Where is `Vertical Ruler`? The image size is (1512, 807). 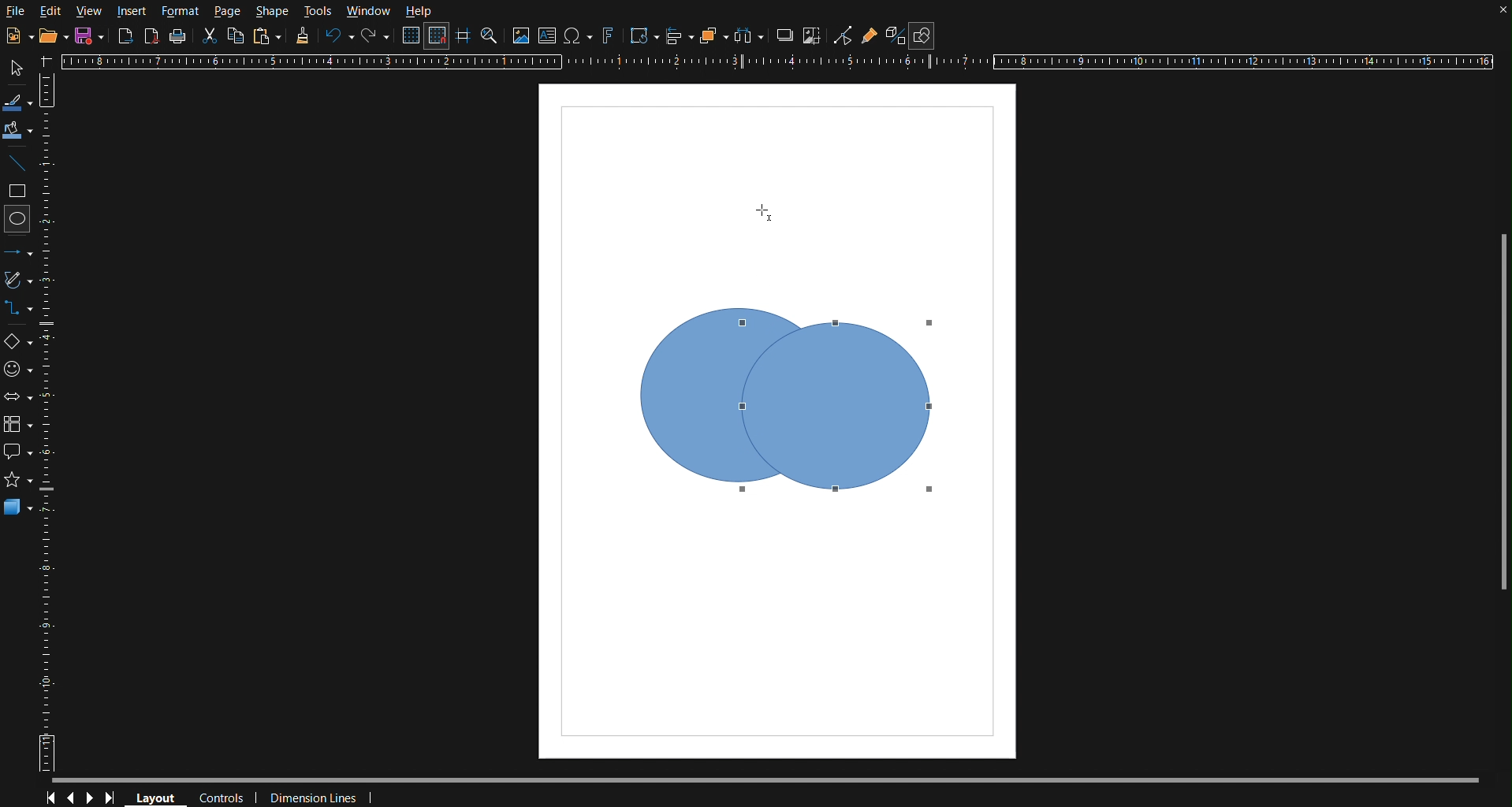 Vertical Ruler is located at coordinates (52, 425).